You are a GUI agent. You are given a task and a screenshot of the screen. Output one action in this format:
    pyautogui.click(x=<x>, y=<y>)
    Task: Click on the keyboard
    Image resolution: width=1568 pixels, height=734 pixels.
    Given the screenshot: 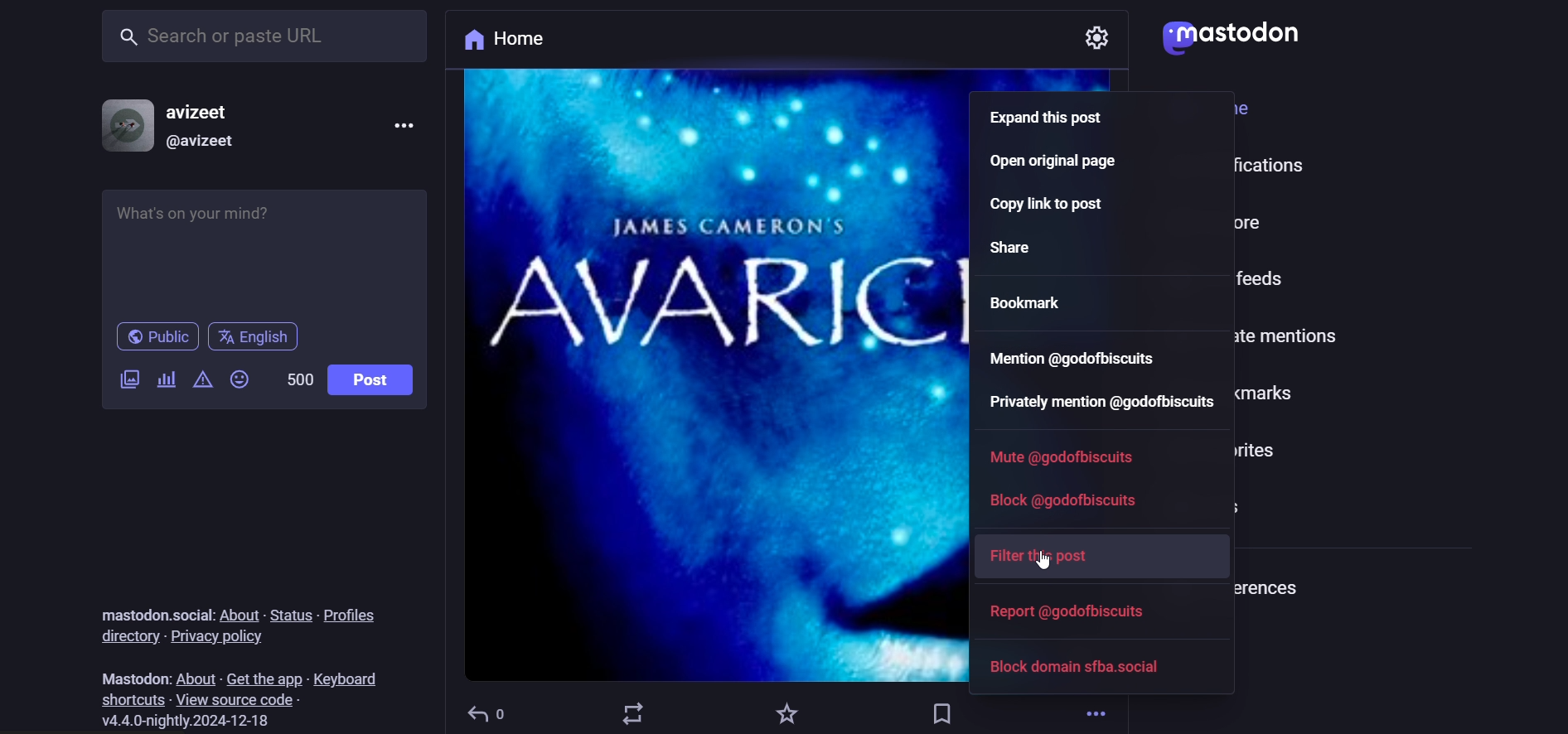 What is the action you would take?
    pyautogui.click(x=346, y=678)
    